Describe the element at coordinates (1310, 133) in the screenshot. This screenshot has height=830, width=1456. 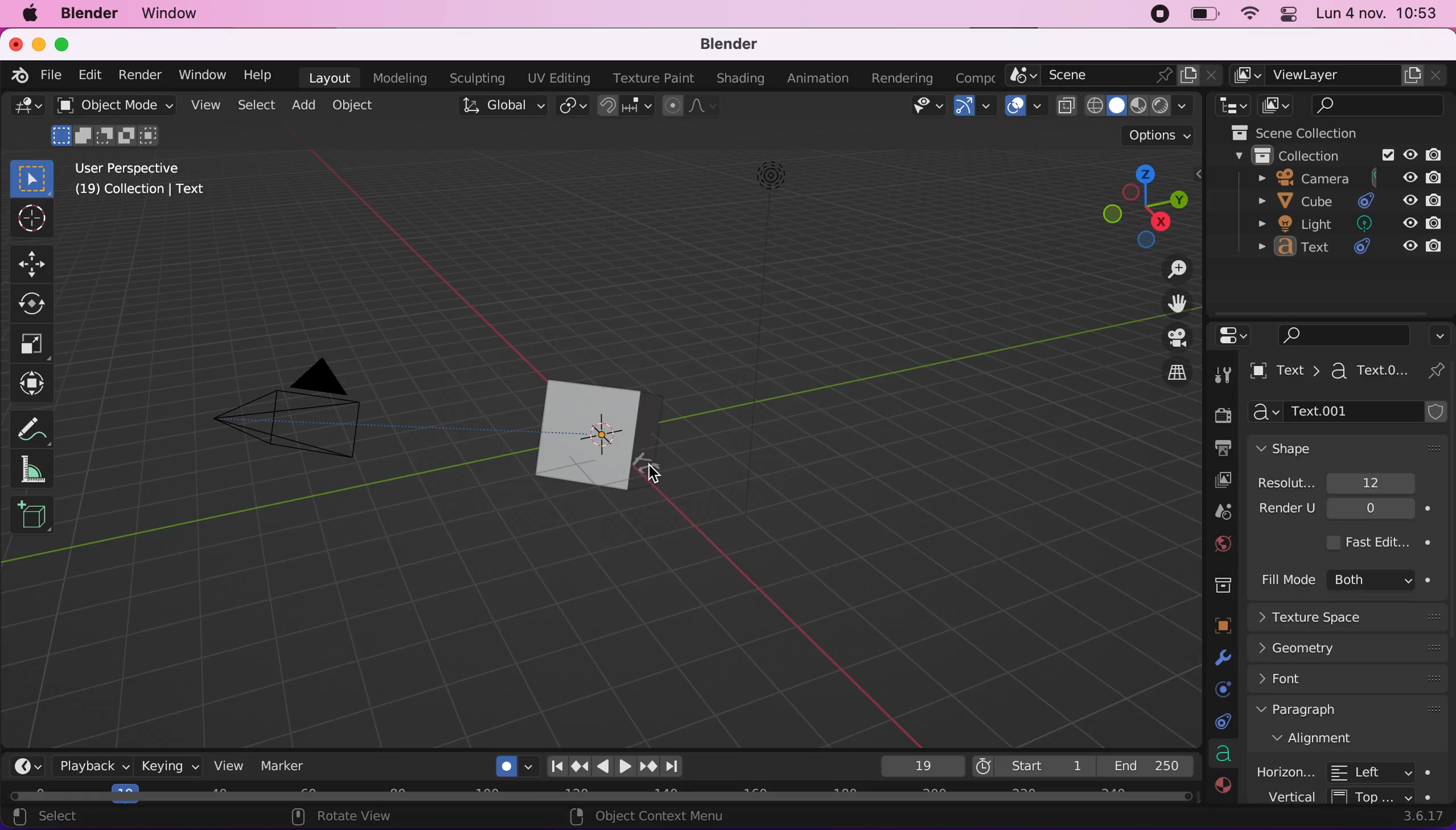
I see `scene collection` at that location.